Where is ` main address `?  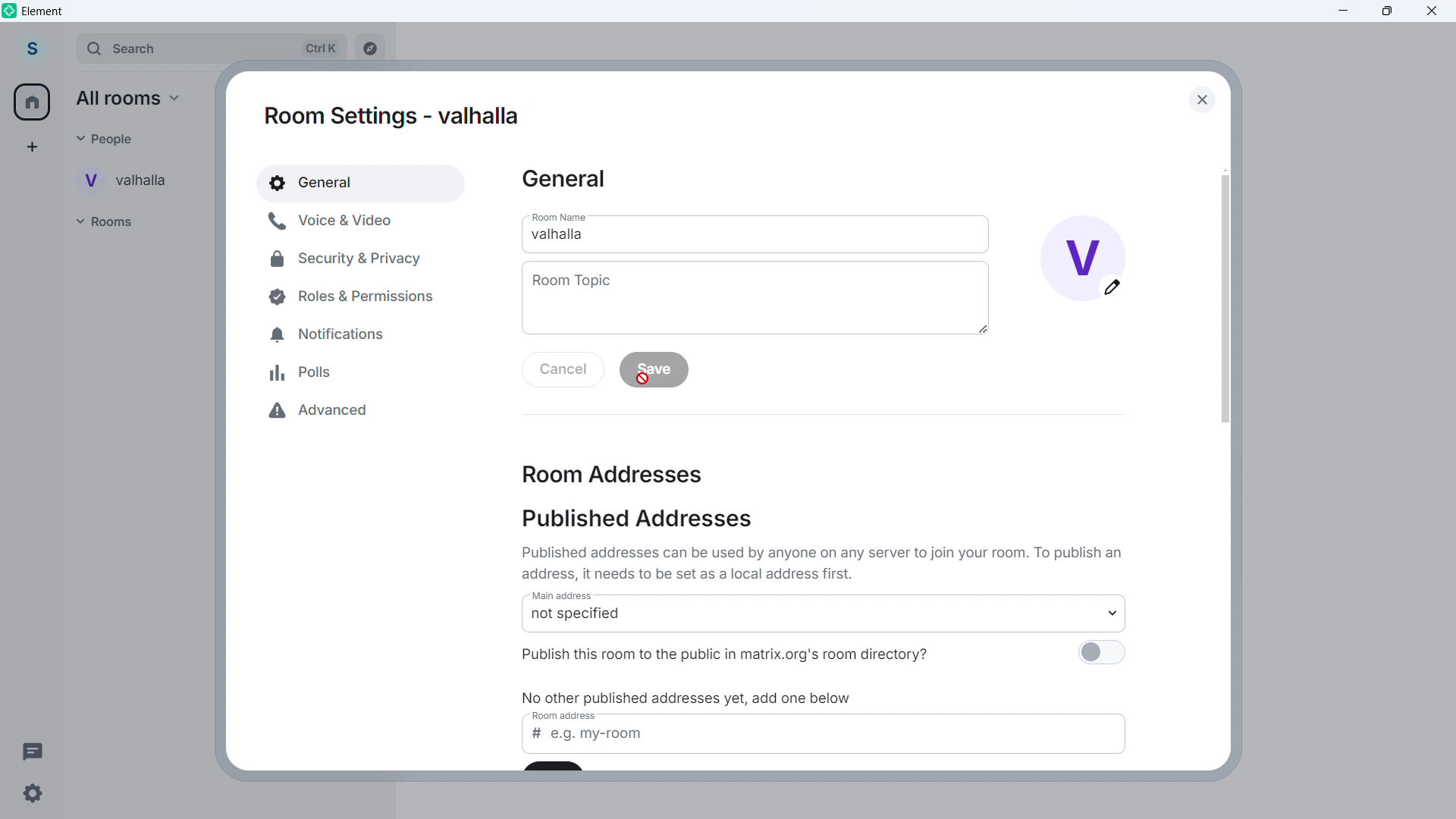
 main address  is located at coordinates (569, 598).